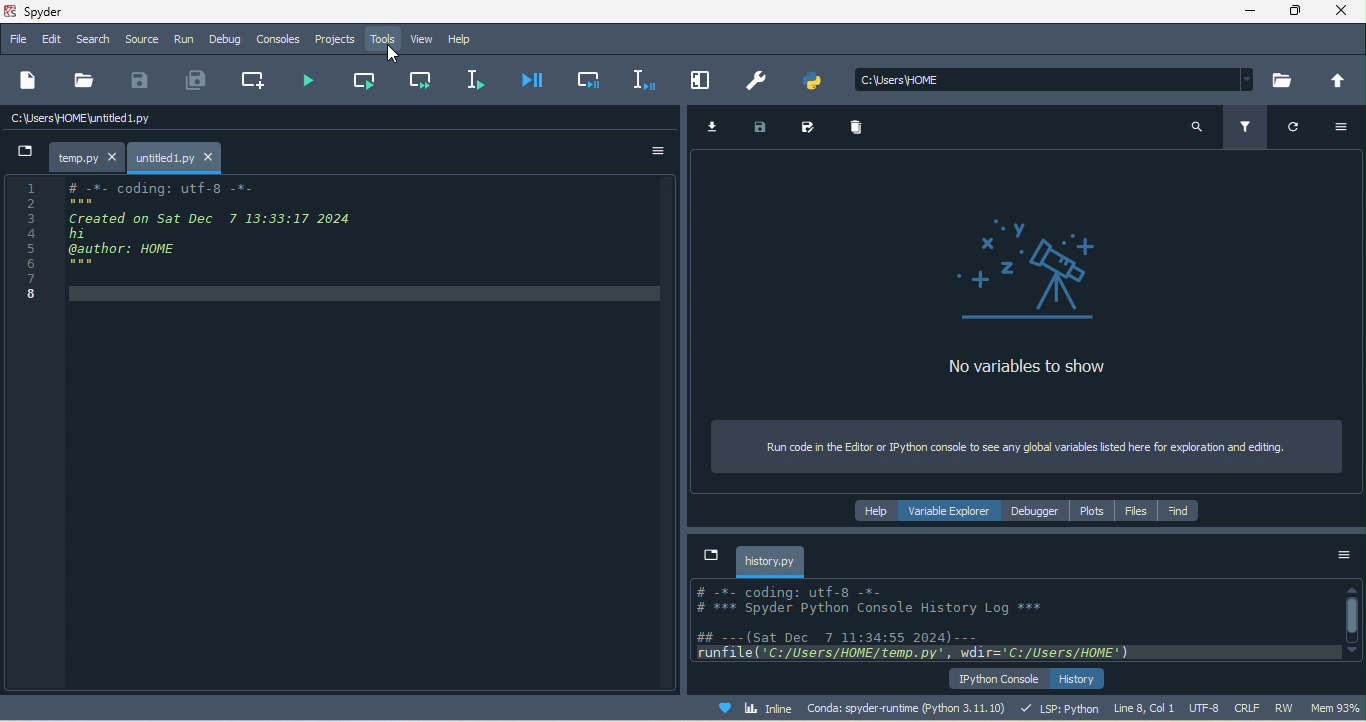 The width and height of the screenshot is (1366, 722). What do you see at coordinates (1337, 708) in the screenshot?
I see `mem 93%` at bounding box center [1337, 708].